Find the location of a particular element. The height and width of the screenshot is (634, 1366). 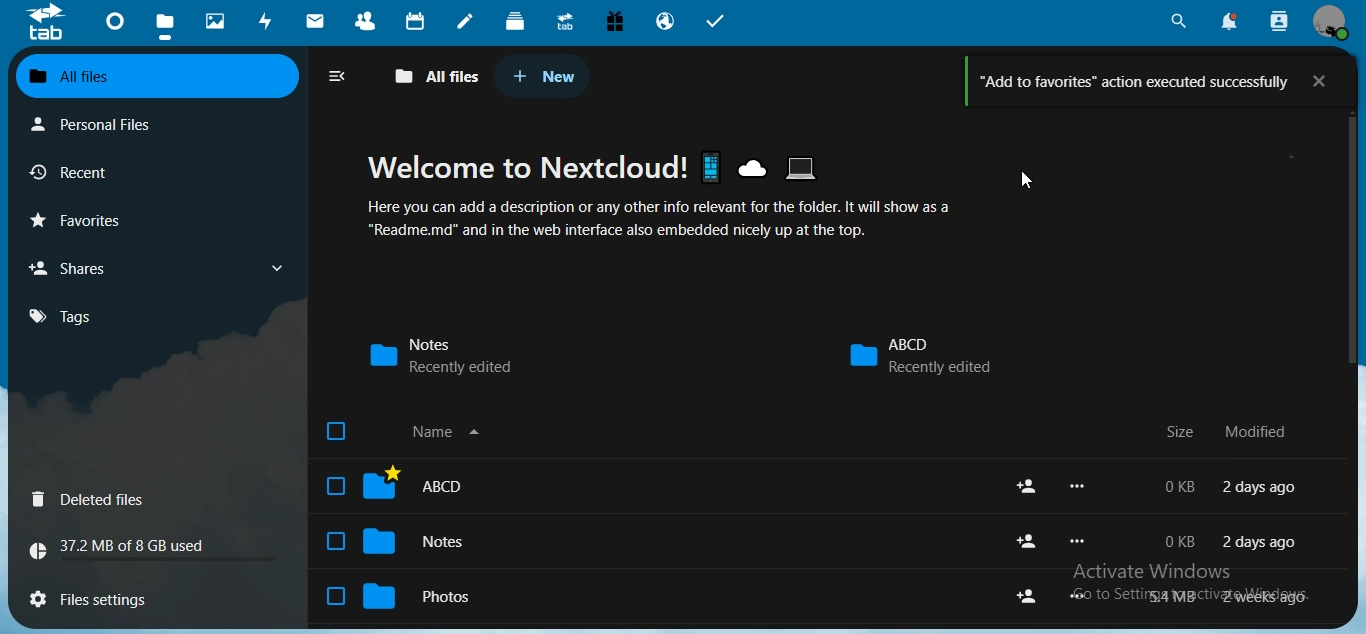

switch to grid view is located at coordinates (1328, 75).